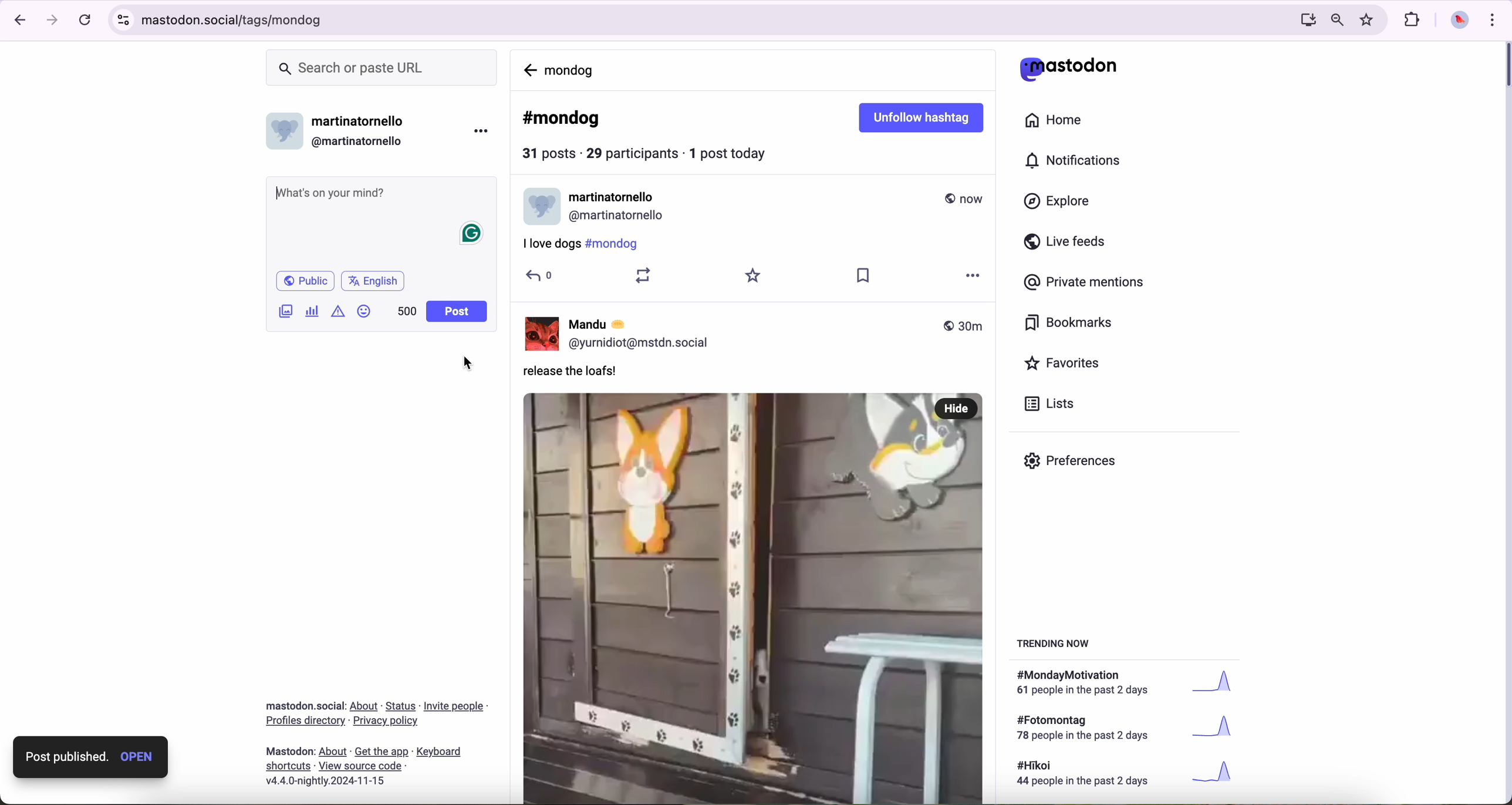 Image resolution: width=1512 pixels, height=805 pixels. I want to click on link, so click(401, 707).